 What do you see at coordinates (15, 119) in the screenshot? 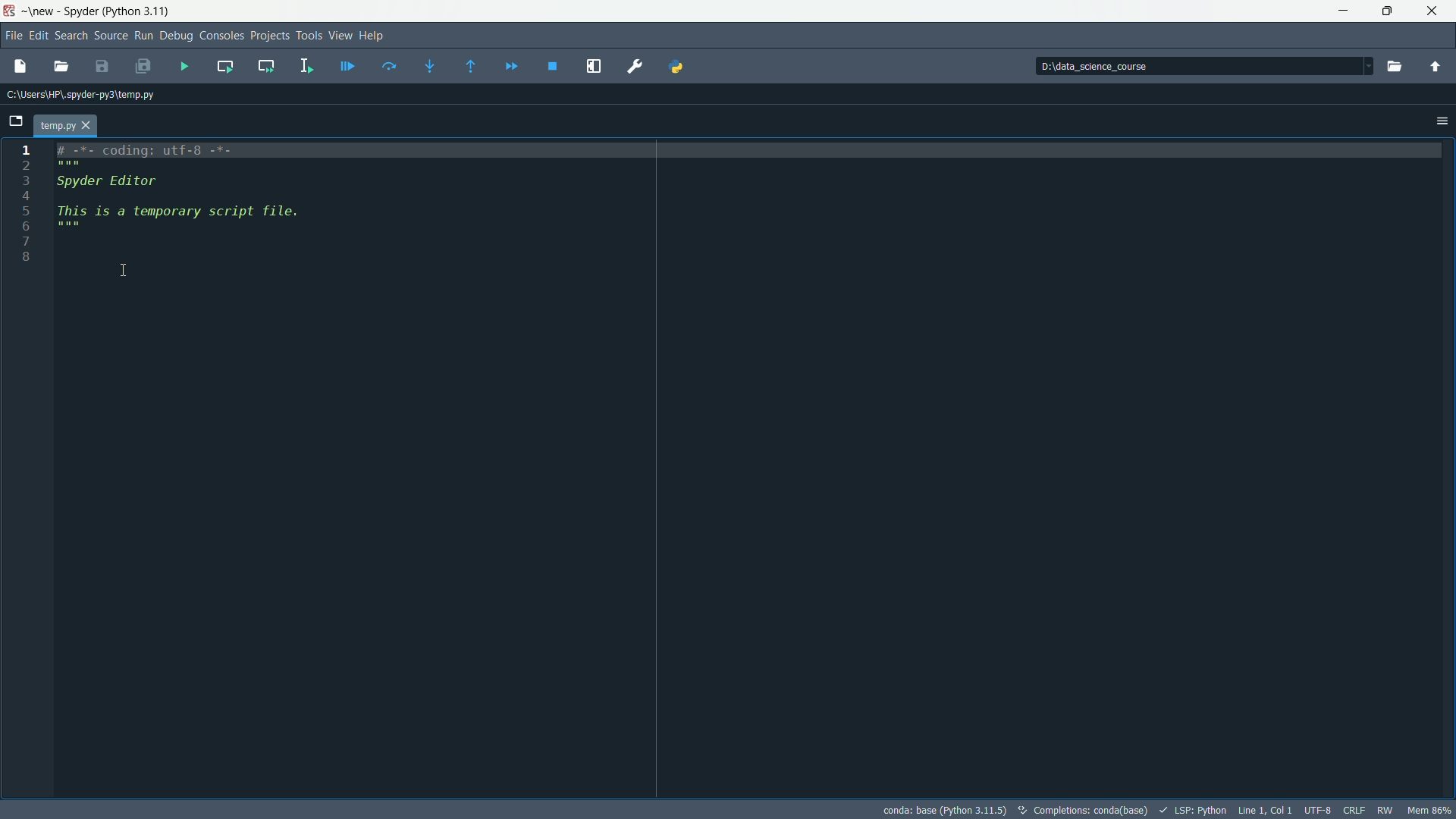
I see `browse tabs` at bounding box center [15, 119].